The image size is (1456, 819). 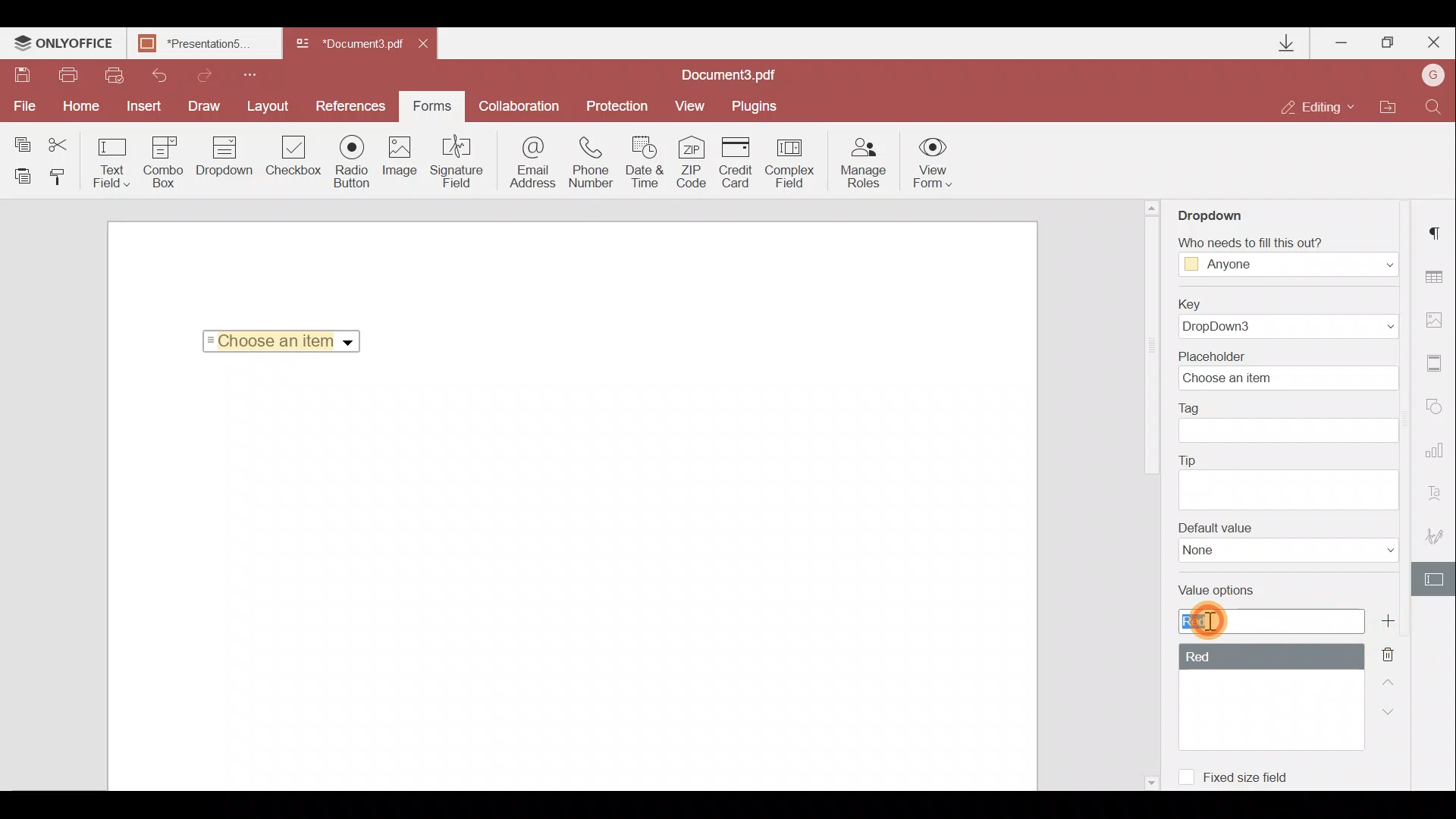 I want to click on Headers & footers settings, so click(x=1439, y=364).